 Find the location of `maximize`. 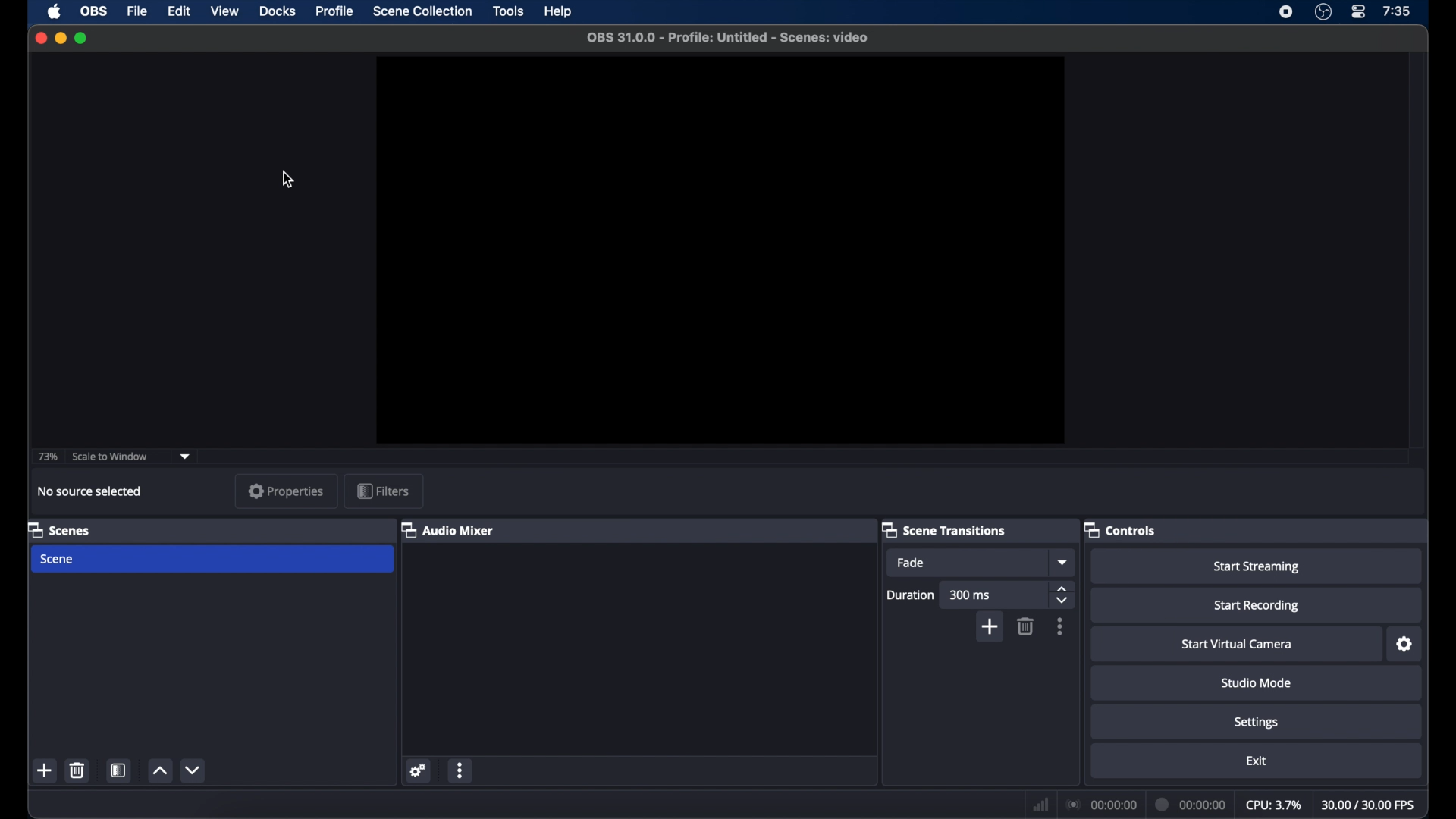

maximize is located at coordinates (83, 38).